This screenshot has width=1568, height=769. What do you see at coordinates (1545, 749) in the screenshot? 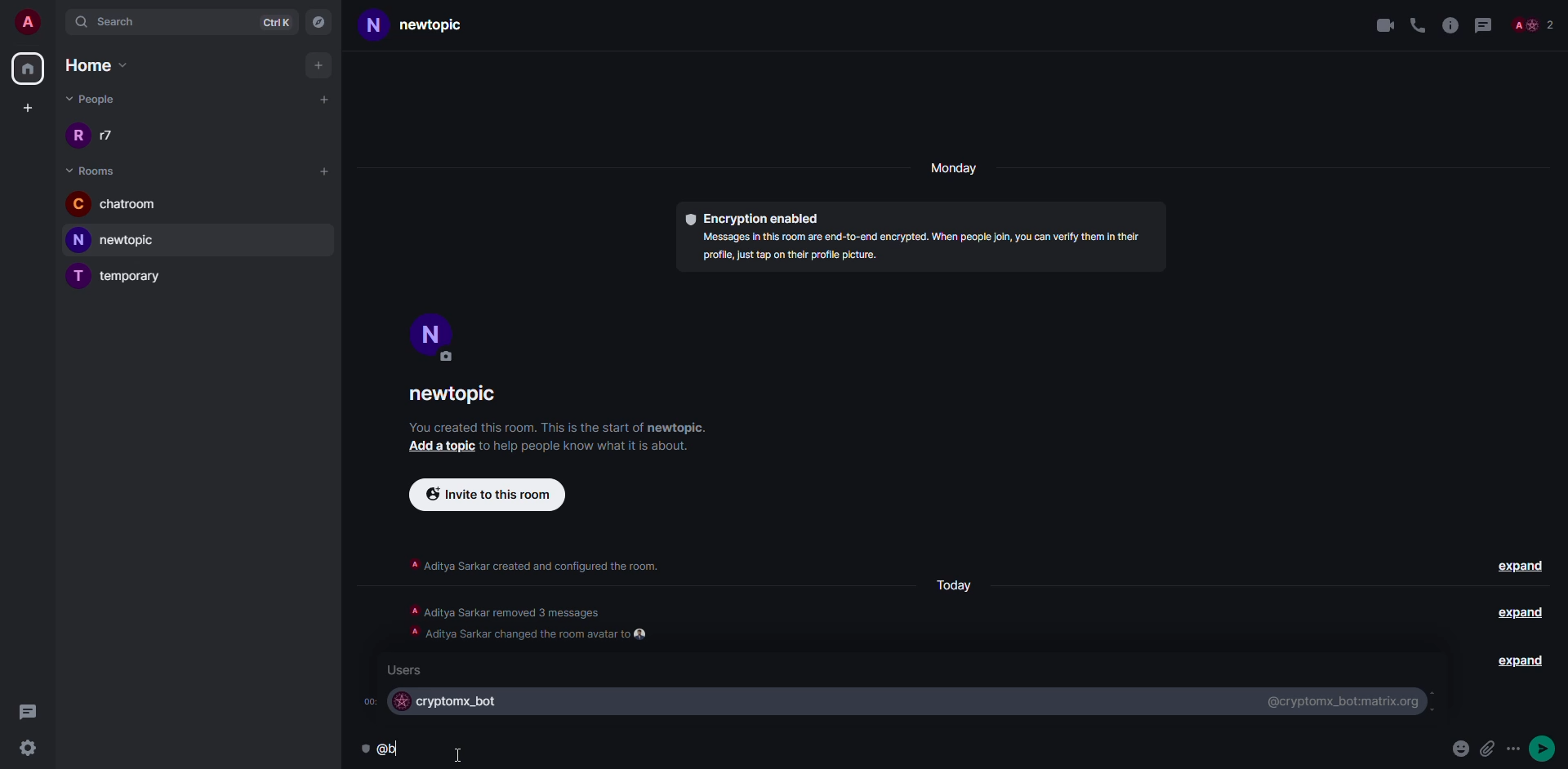
I see `send` at bounding box center [1545, 749].